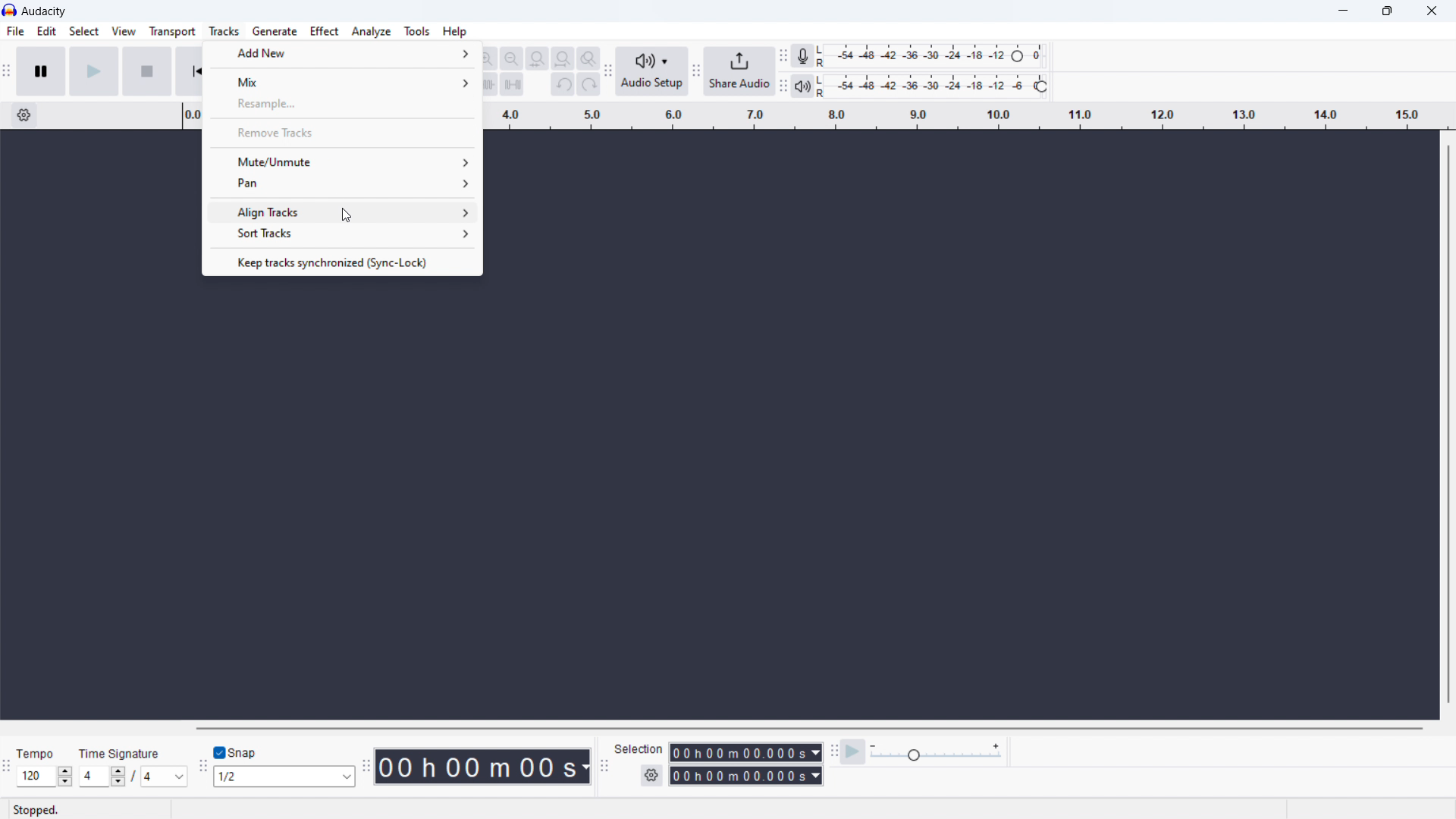 Image resolution: width=1456 pixels, height=819 pixels. What do you see at coordinates (607, 70) in the screenshot?
I see `audio setup toolbar` at bounding box center [607, 70].